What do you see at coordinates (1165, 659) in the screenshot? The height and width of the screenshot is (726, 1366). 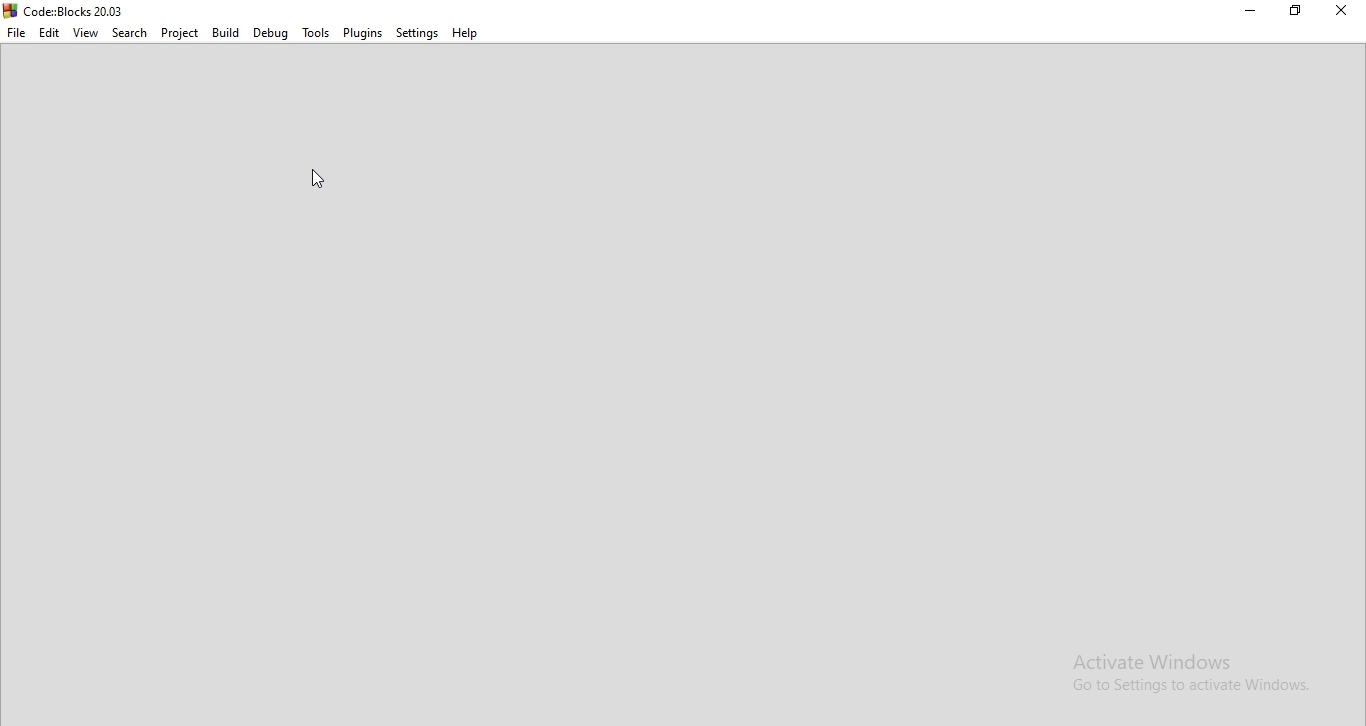 I see `Activate Windows` at bounding box center [1165, 659].